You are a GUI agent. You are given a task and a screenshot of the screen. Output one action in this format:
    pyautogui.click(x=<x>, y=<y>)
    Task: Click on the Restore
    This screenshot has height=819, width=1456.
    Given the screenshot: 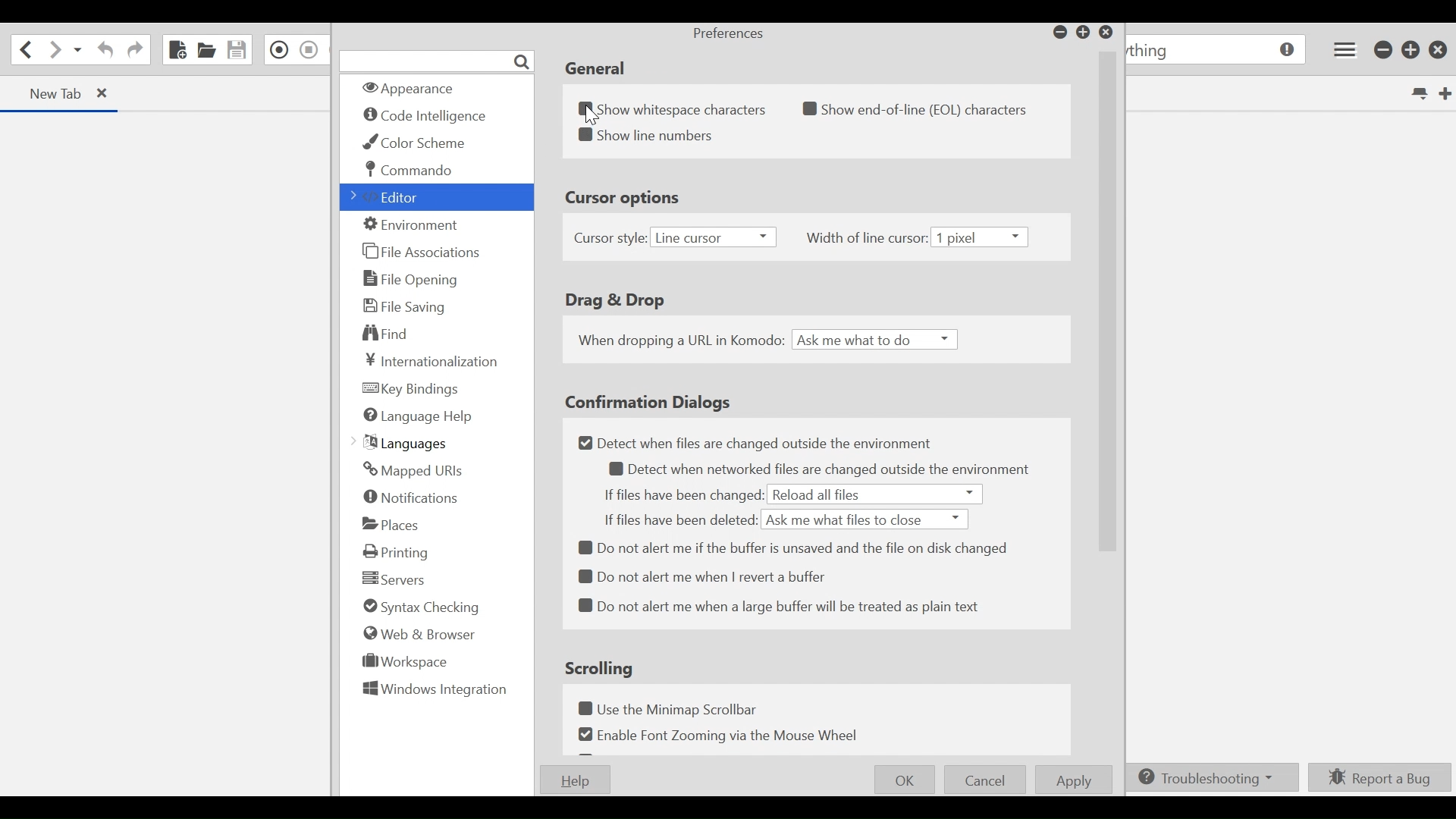 What is the action you would take?
    pyautogui.click(x=1412, y=49)
    